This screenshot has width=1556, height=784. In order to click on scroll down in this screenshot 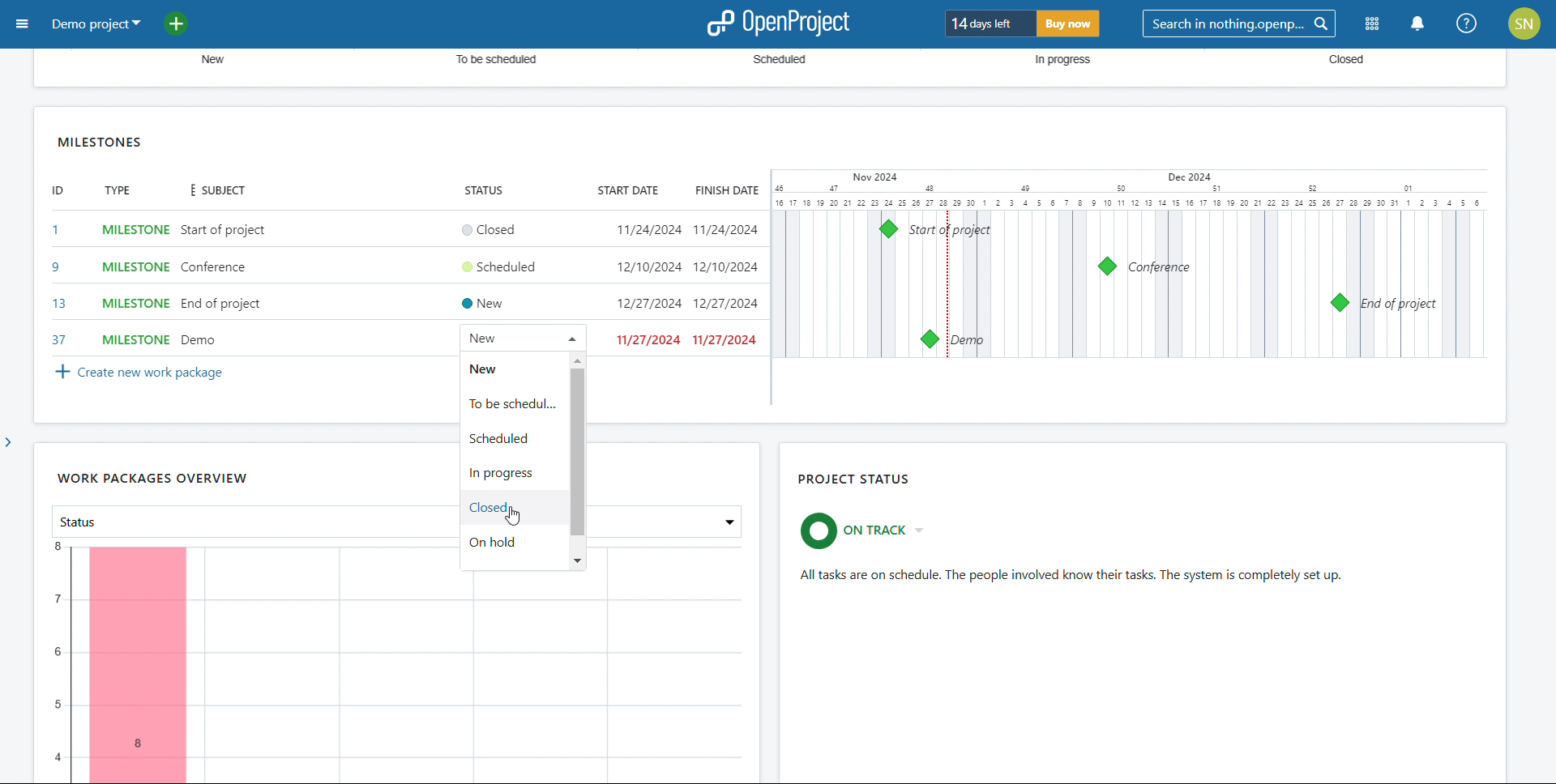, I will do `click(577, 560)`.